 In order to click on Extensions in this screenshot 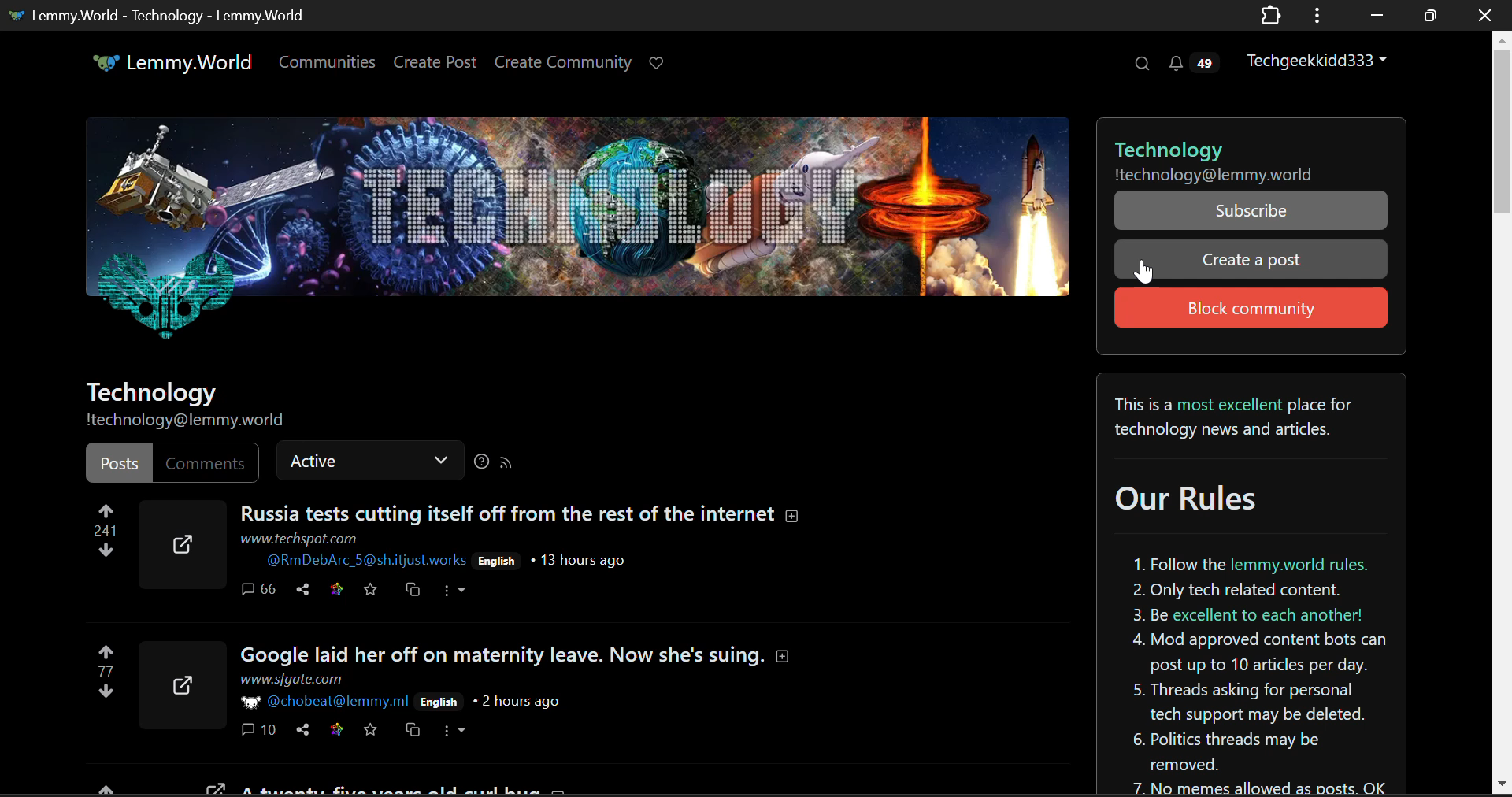, I will do `click(1271, 17)`.